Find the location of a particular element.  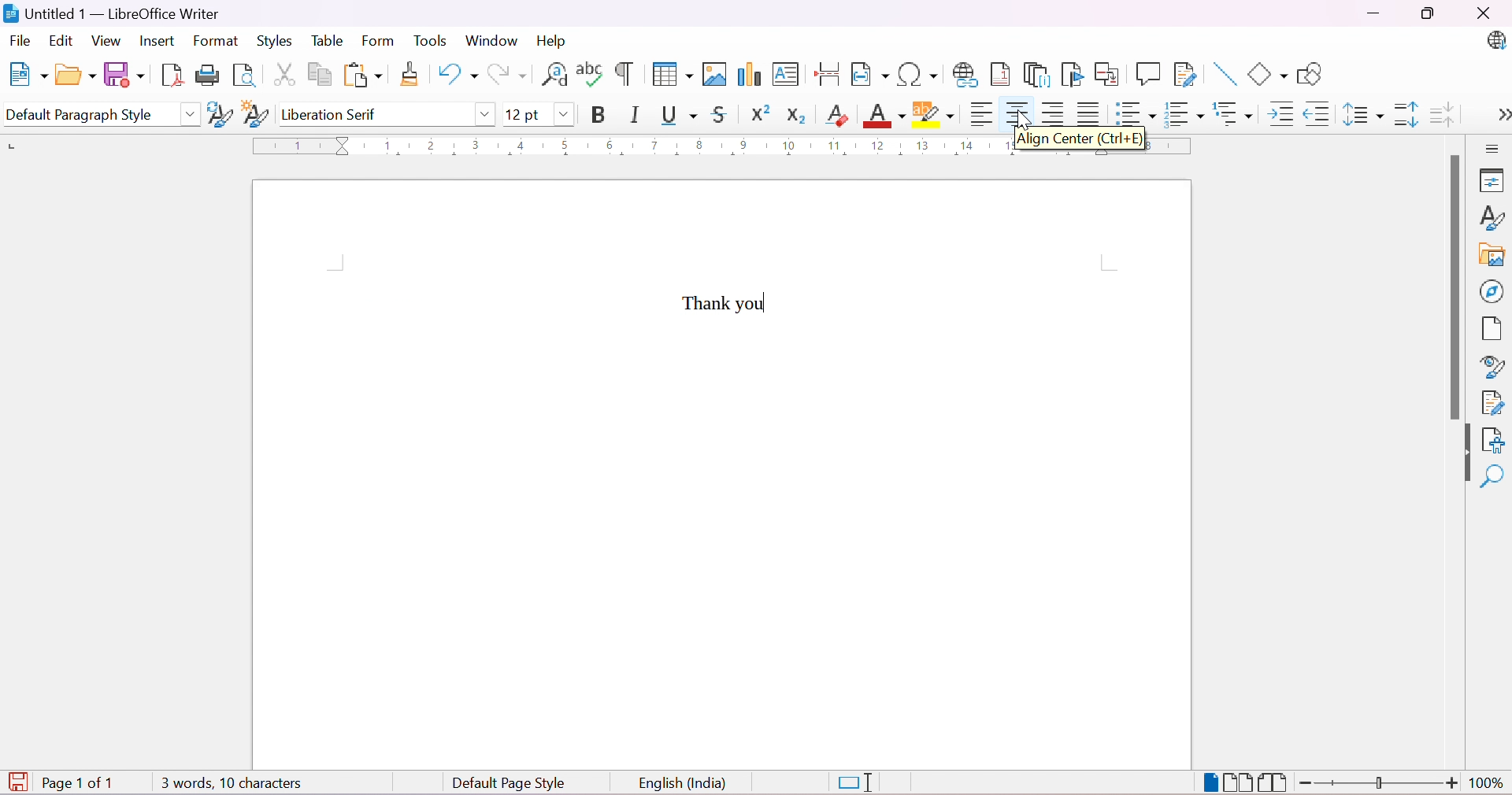

Insert Chart is located at coordinates (747, 74).